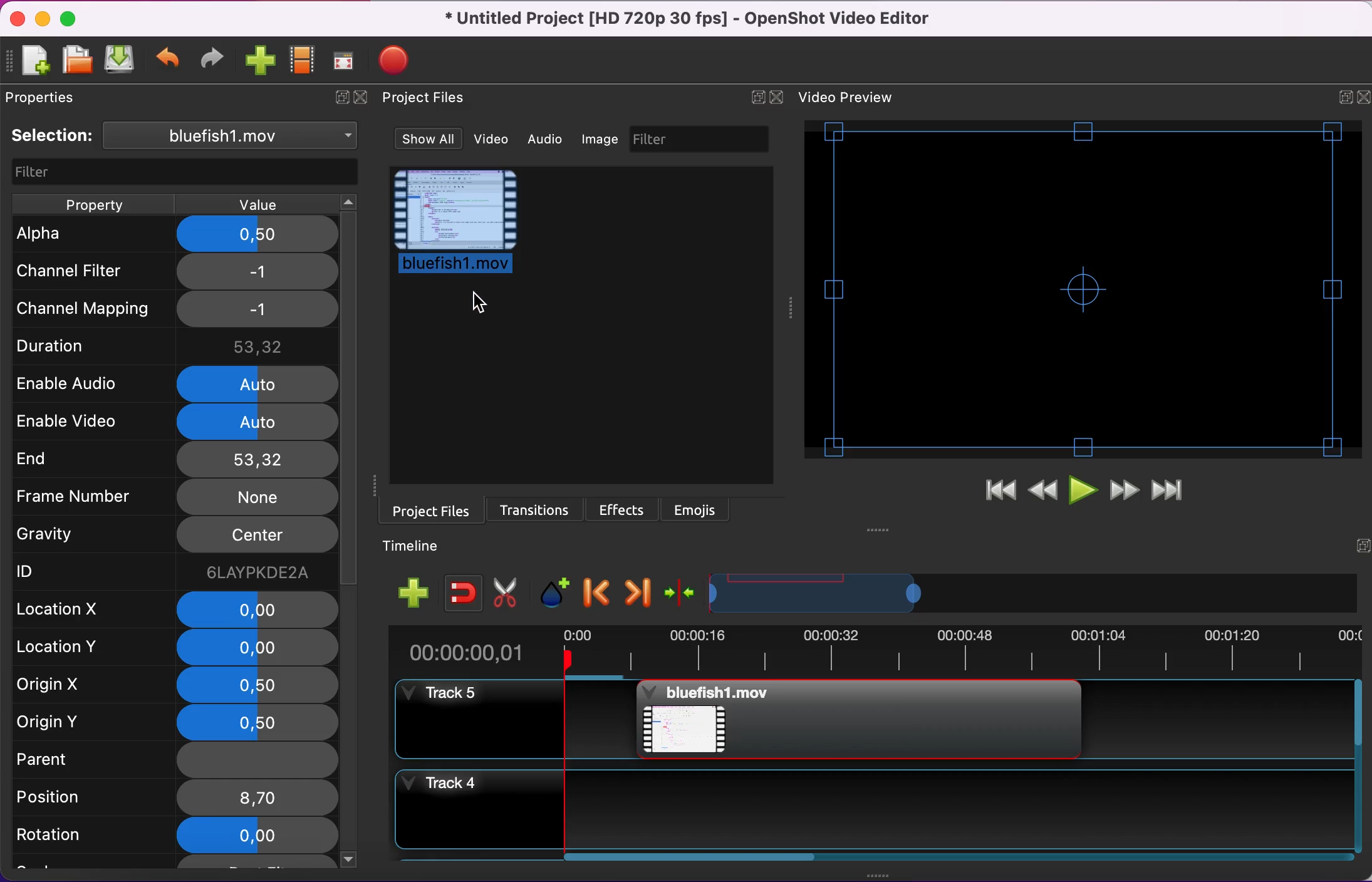 The height and width of the screenshot is (882, 1372). I want to click on none, so click(256, 762).